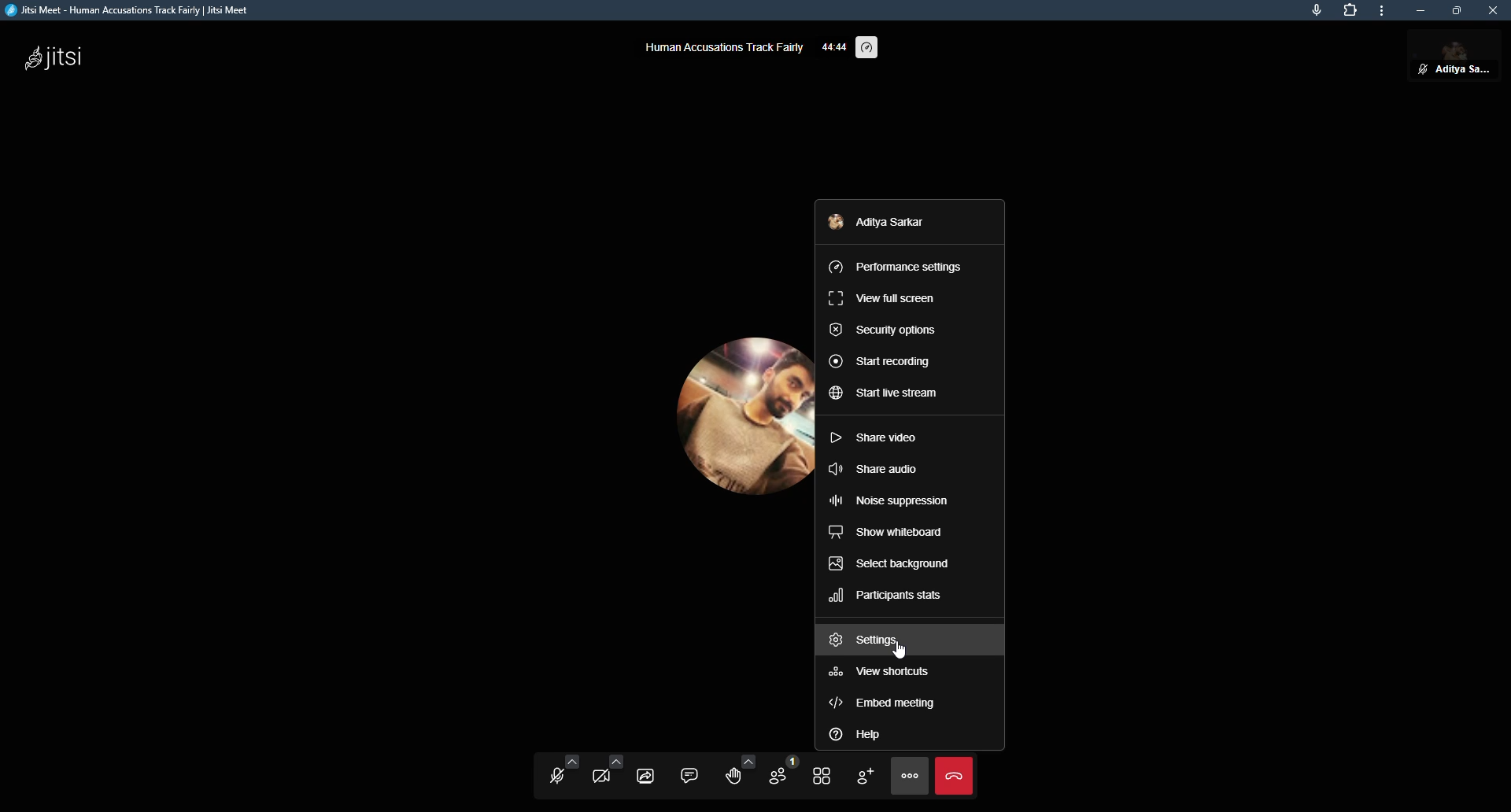 This screenshot has height=812, width=1511. I want to click on view full screen, so click(881, 297).